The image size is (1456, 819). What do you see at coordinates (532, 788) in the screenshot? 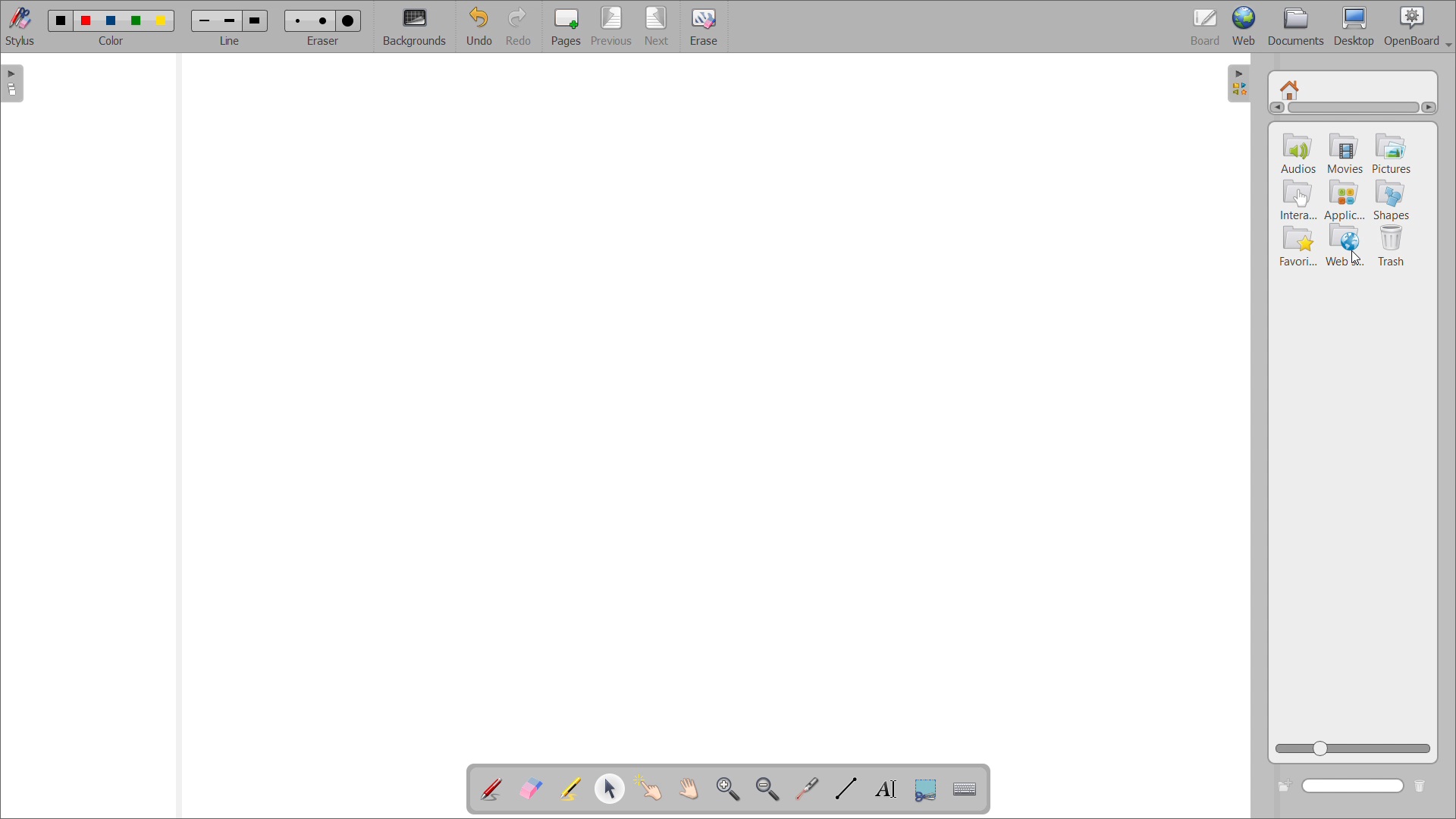
I see `erase annotation` at bounding box center [532, 788].